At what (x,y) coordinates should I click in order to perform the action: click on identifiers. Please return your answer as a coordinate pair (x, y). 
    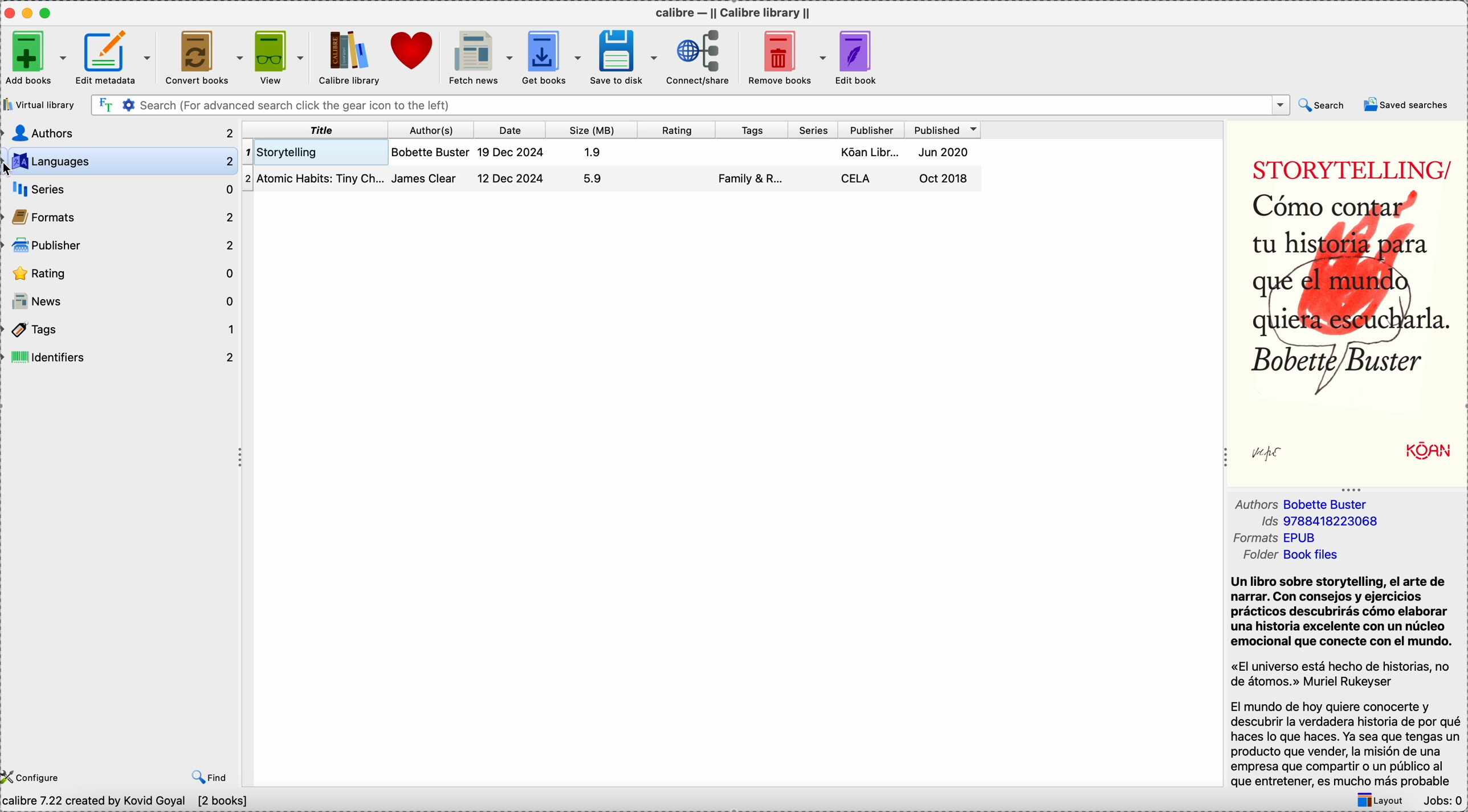
    Looking at the image, I should click on (120, 357).